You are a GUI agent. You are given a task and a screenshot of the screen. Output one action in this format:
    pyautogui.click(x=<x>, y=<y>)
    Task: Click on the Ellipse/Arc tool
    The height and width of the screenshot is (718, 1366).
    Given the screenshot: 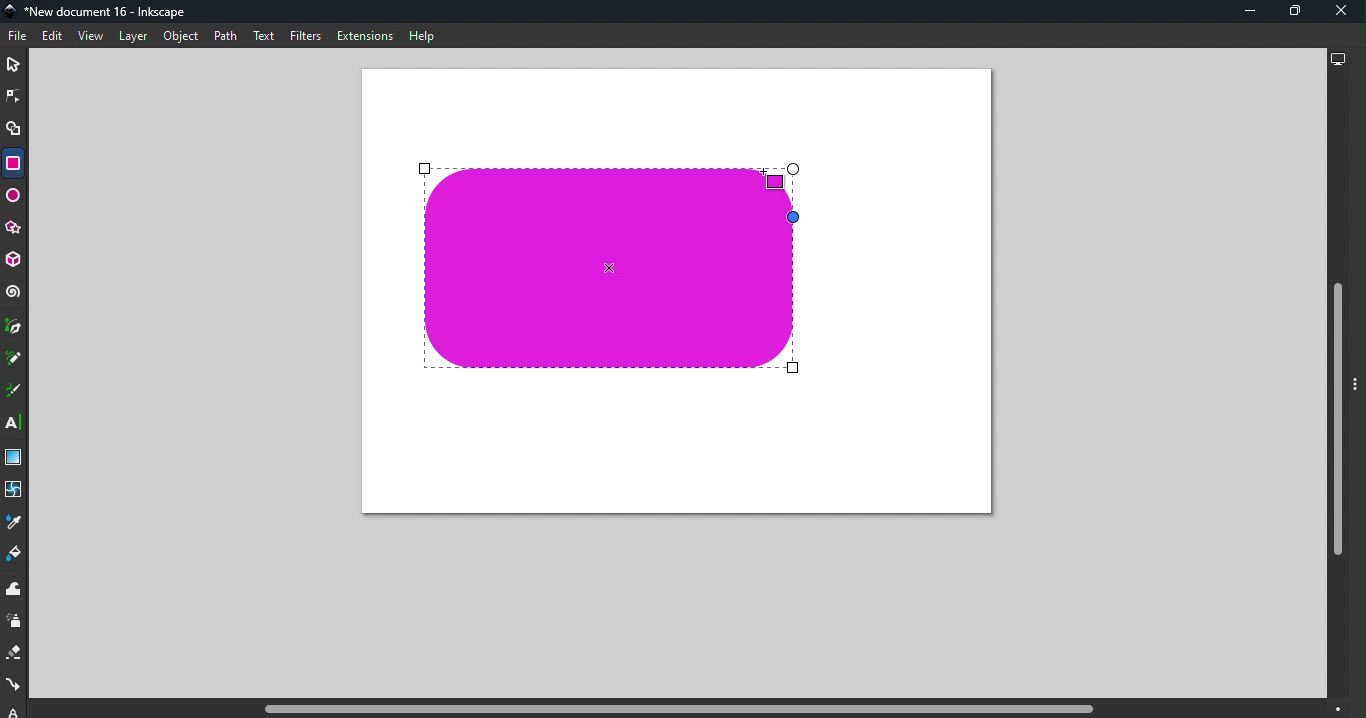 What is the action you would take?
    pyautogui.click(x=14, y=198)
    